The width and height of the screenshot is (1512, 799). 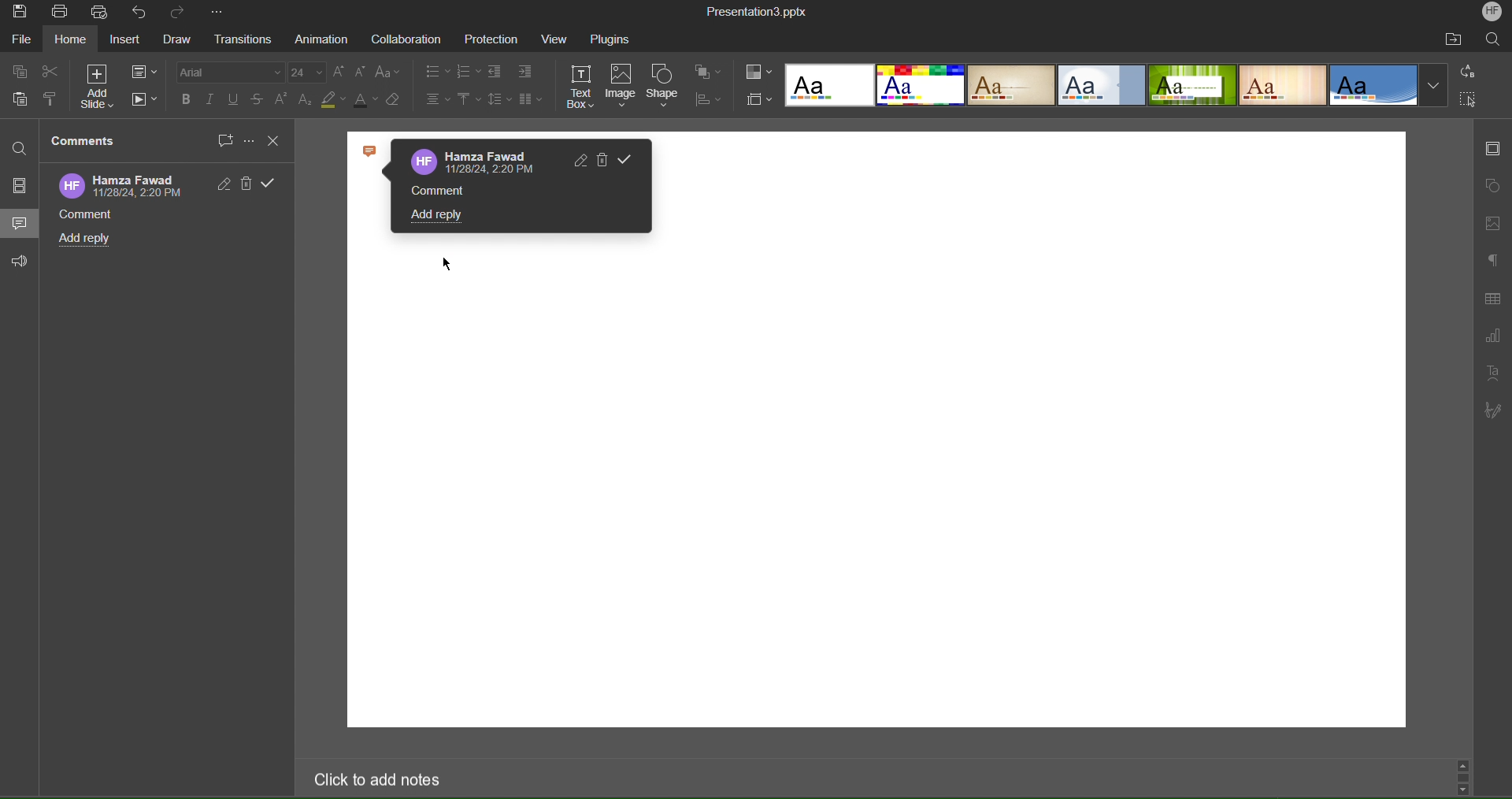 I want to click on Text Box, so click(x=584, y=87).